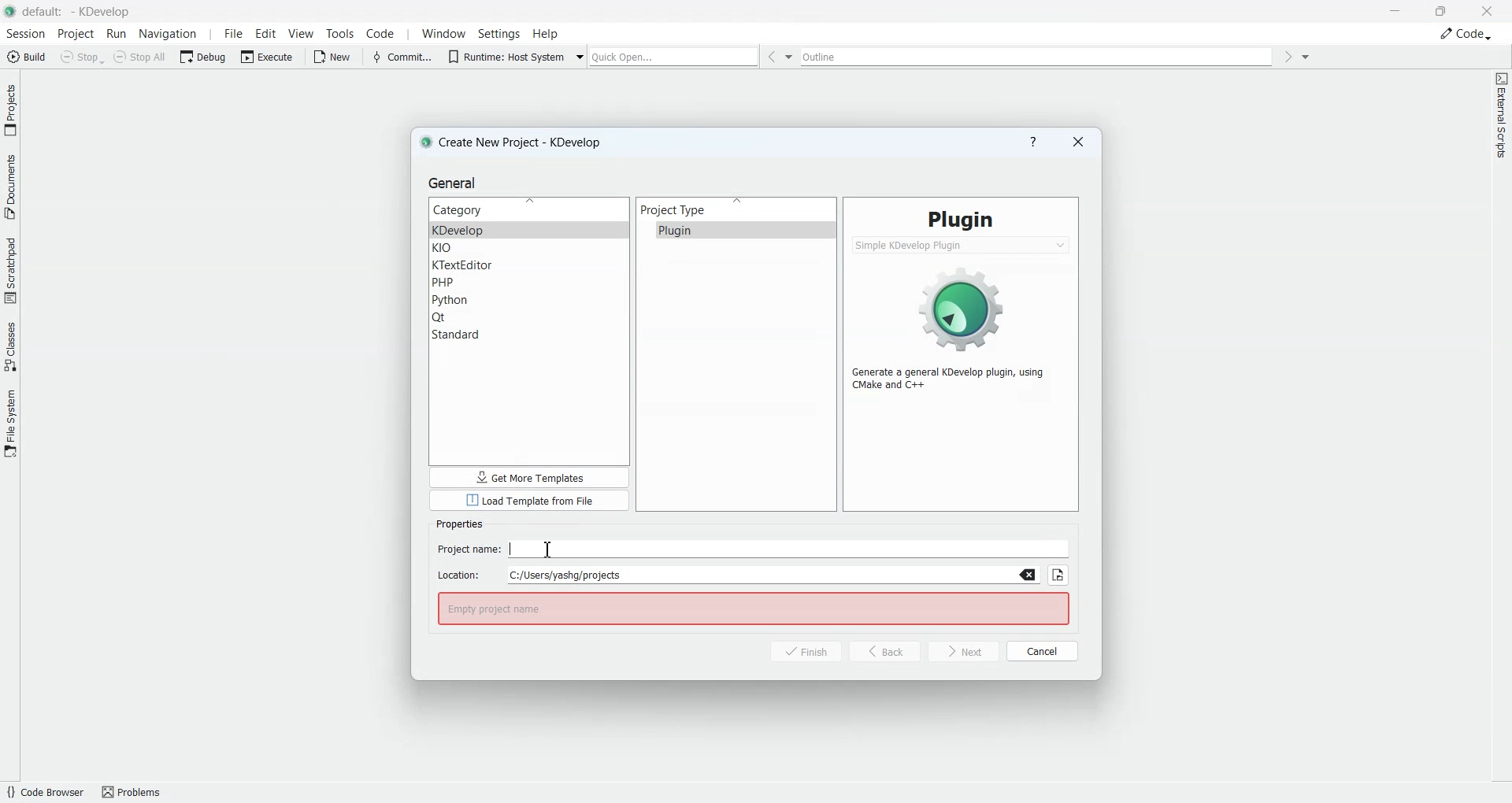  What do you see at coordinates (955, 379) in the screenshot?
I see `Text` at bounding box center [955, 379].